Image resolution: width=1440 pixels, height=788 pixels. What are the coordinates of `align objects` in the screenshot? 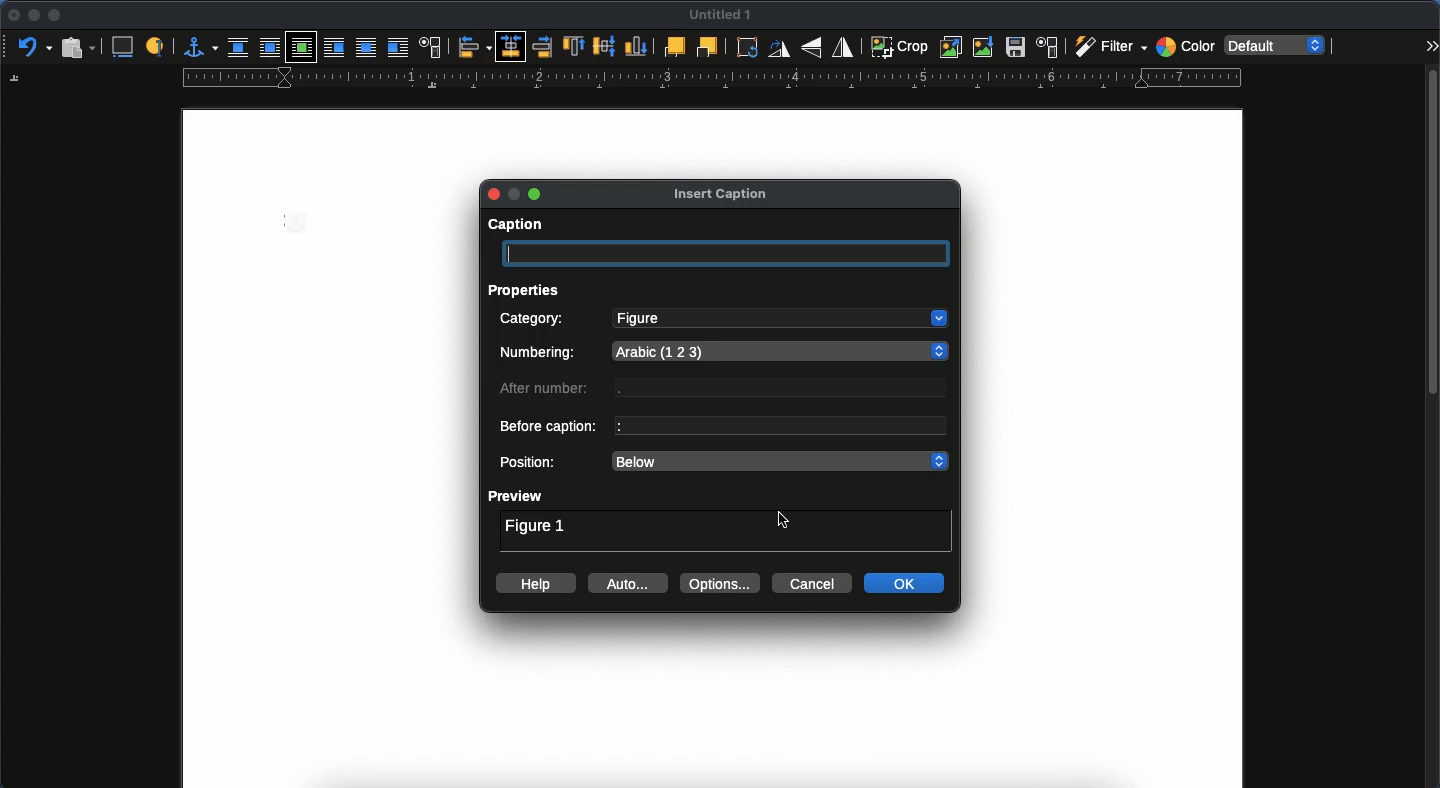 It's located at (475, 46).